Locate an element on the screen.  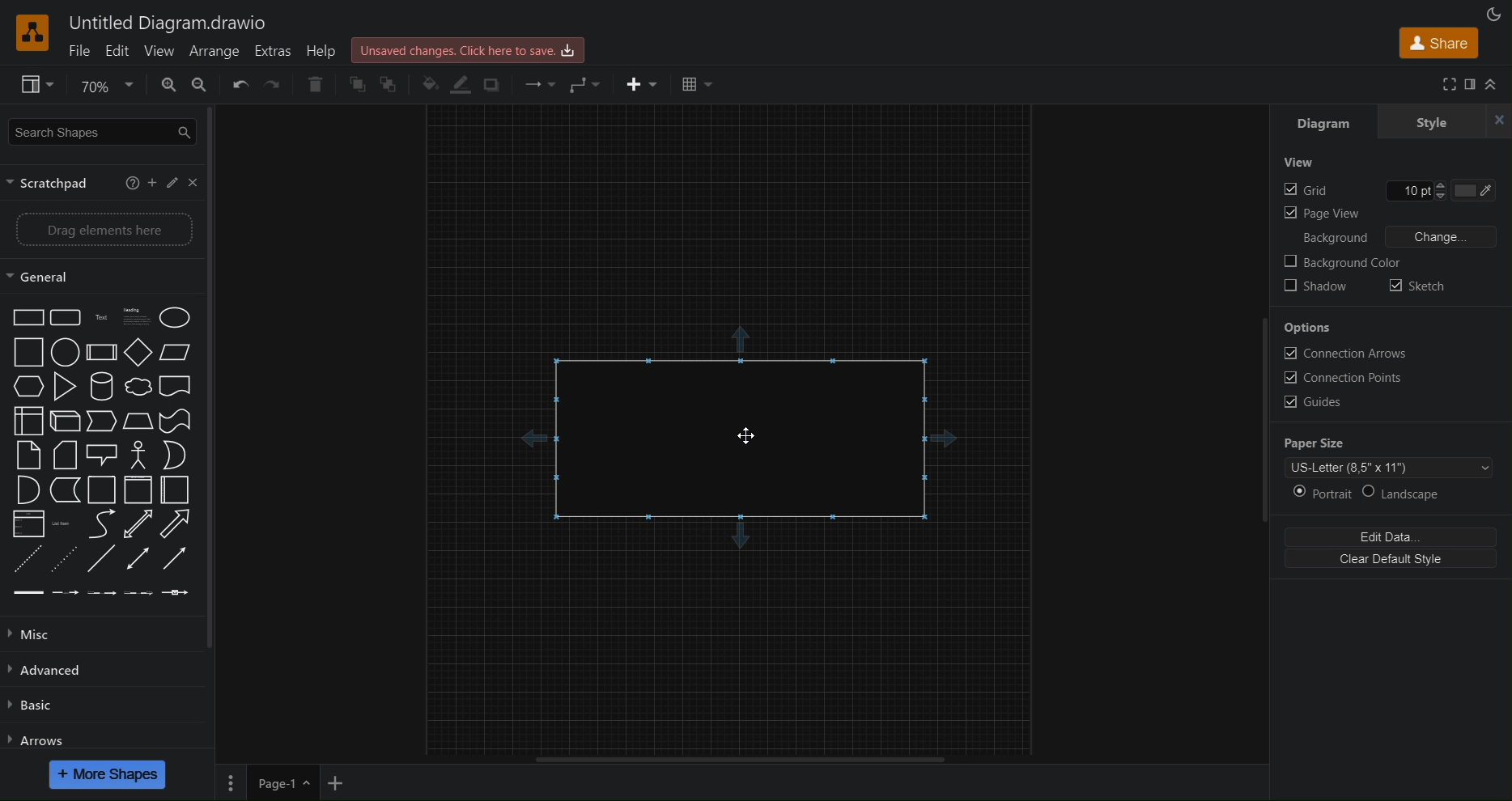
Scrollbar is located at coordinates (1261, 421).